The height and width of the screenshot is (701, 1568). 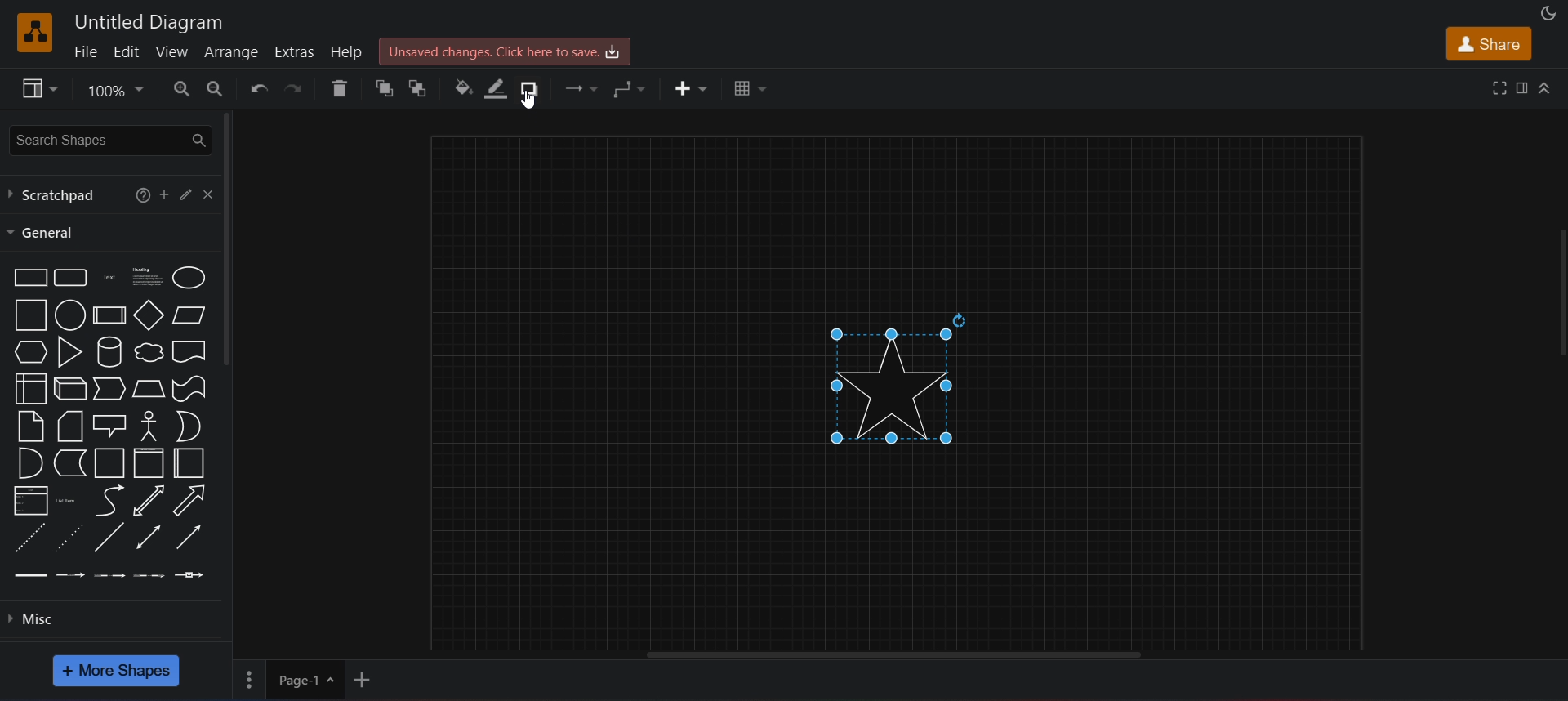 What do you see at coordinates (175, 90) in the screenshot?
I see `zoom in` at bounding box center [175, 90].